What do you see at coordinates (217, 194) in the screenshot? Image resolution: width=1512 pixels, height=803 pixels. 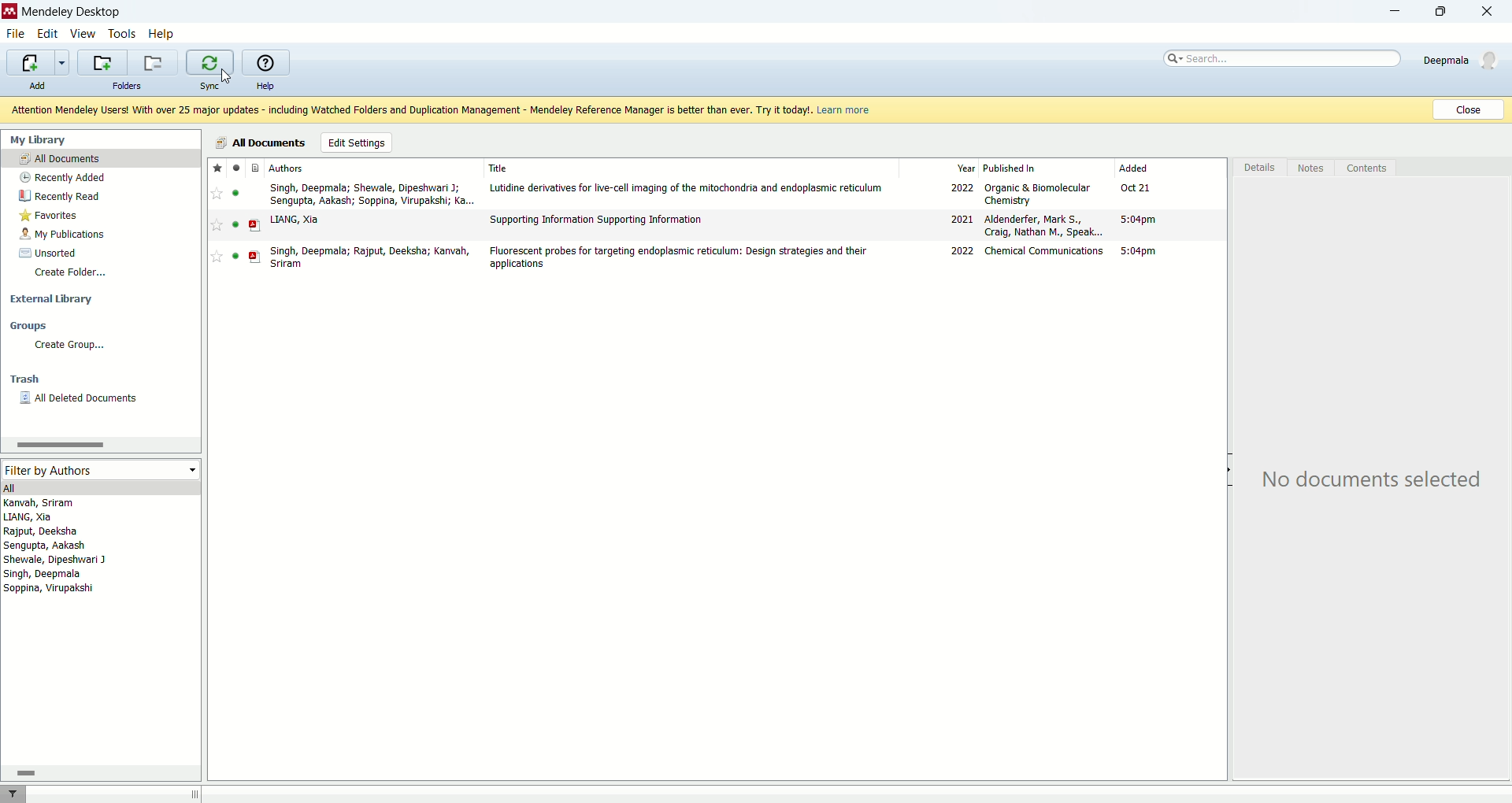 I see `Add to favorite` at bounding box center [217, 194].